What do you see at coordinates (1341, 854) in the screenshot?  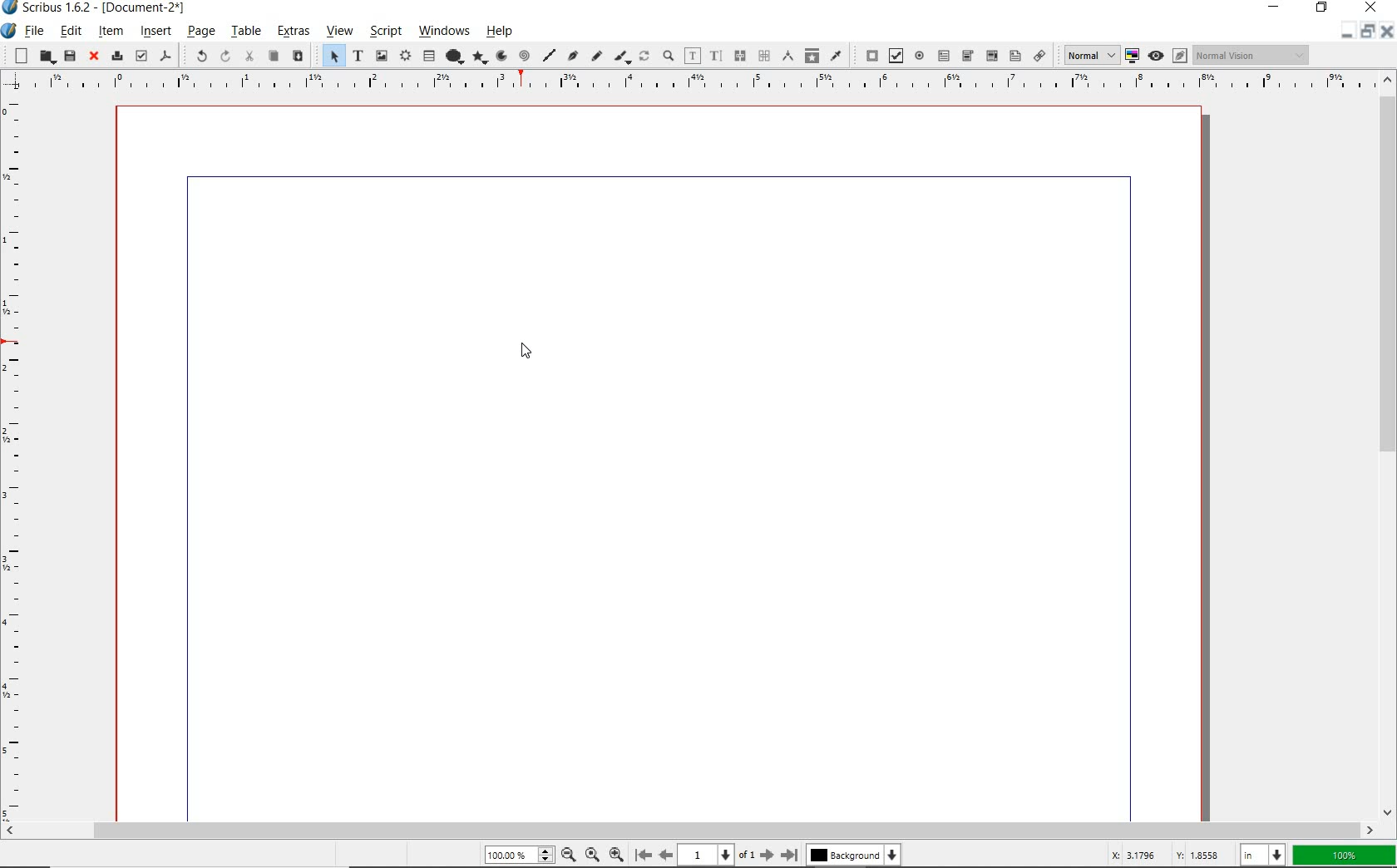 I see `100%` at bounding box center [1341, 854].